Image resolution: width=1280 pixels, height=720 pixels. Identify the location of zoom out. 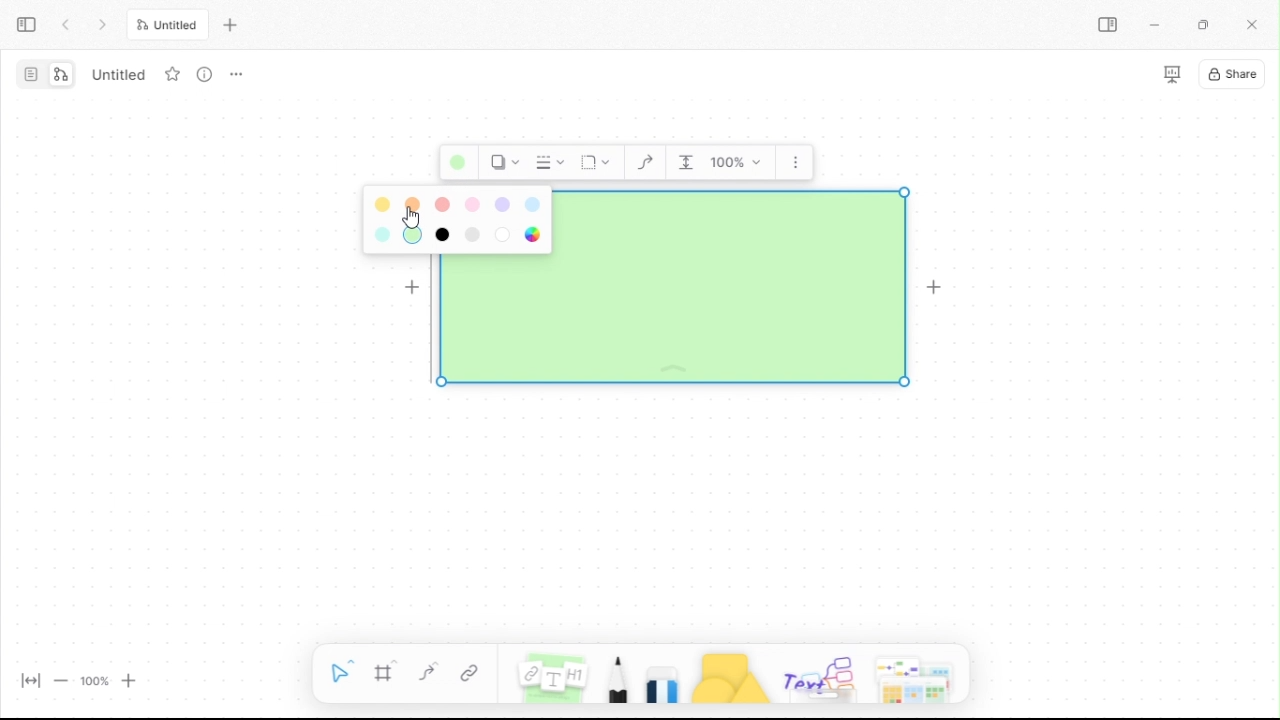
(61, 680).